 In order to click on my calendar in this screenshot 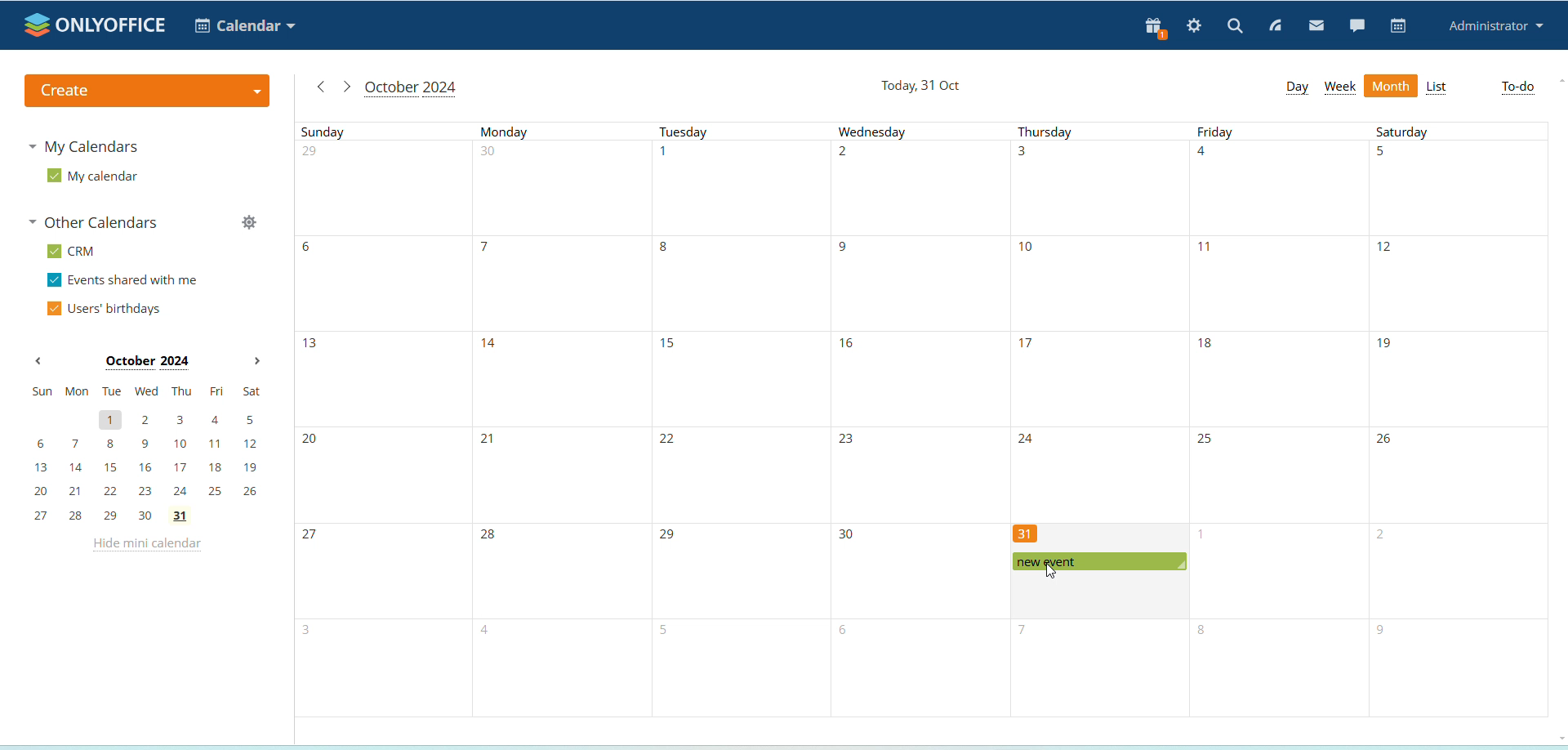, I will do `click(92, 176)`.